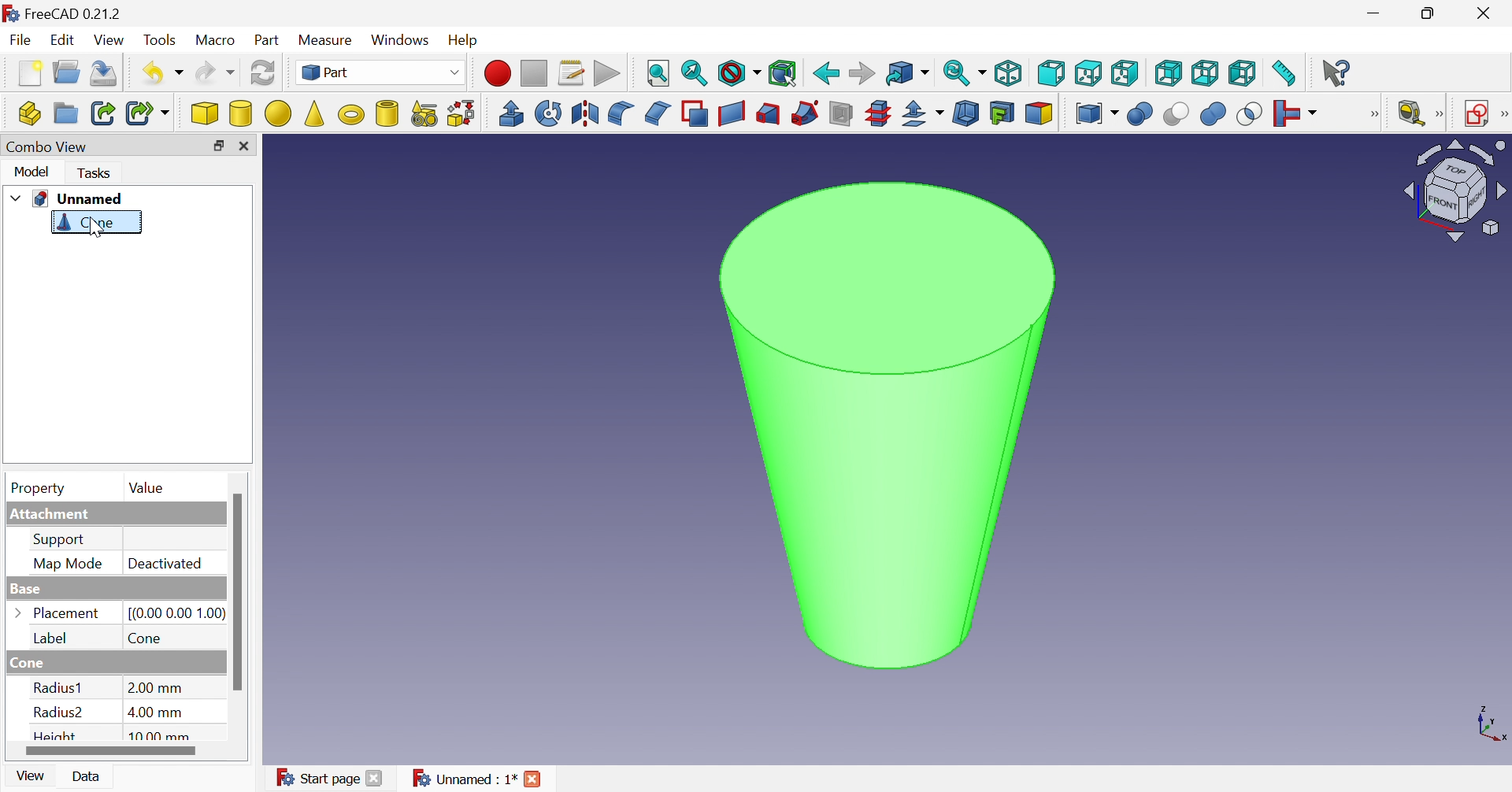 The image size is (1512, 792). Describe the element at coordinates (1010, 72) in the screenshot. I see `Isometric` at that location.